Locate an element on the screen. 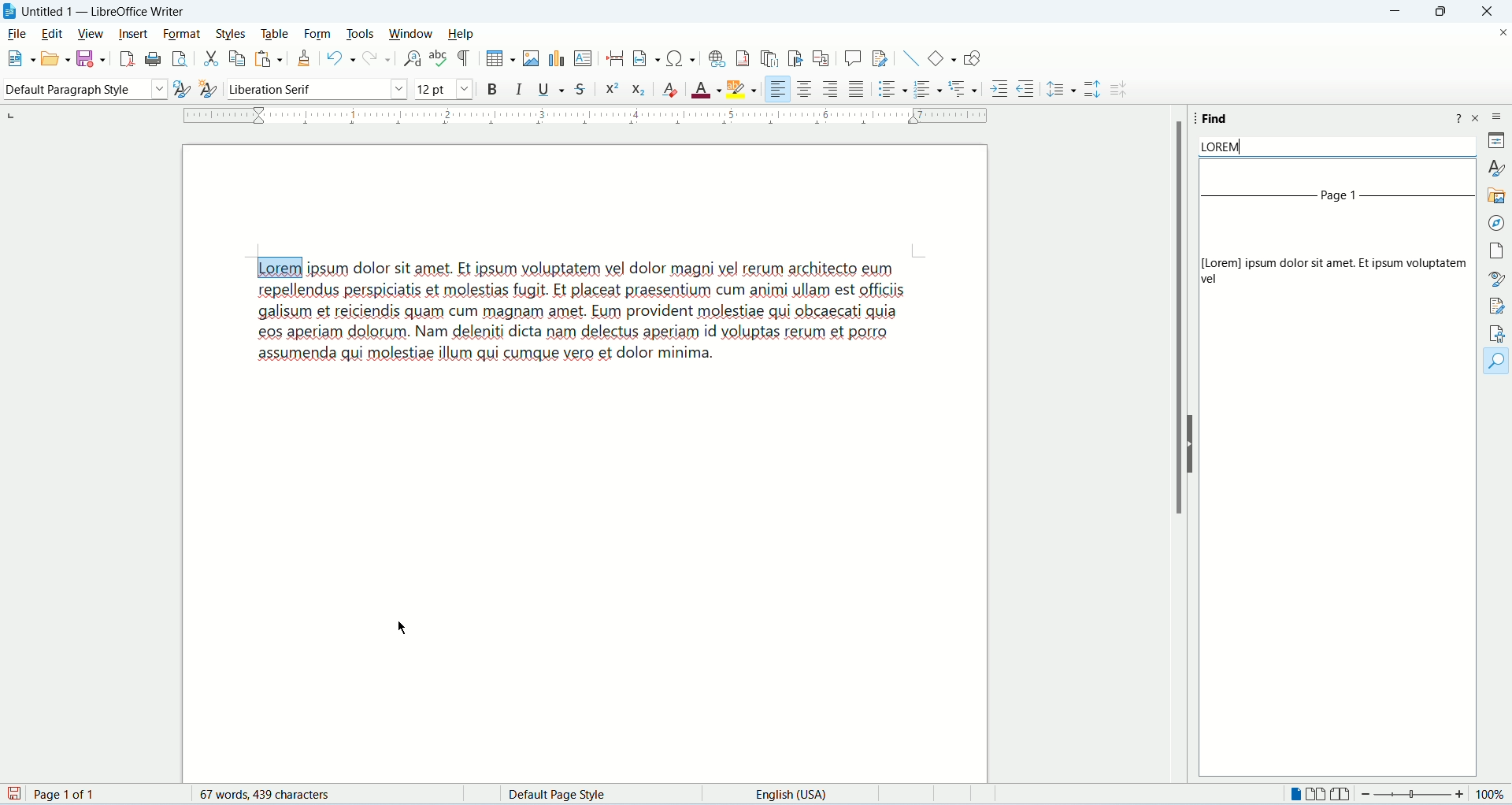 The height and width of the screenshot is (805, 1512). default page style is located at coordinates (563, 794).